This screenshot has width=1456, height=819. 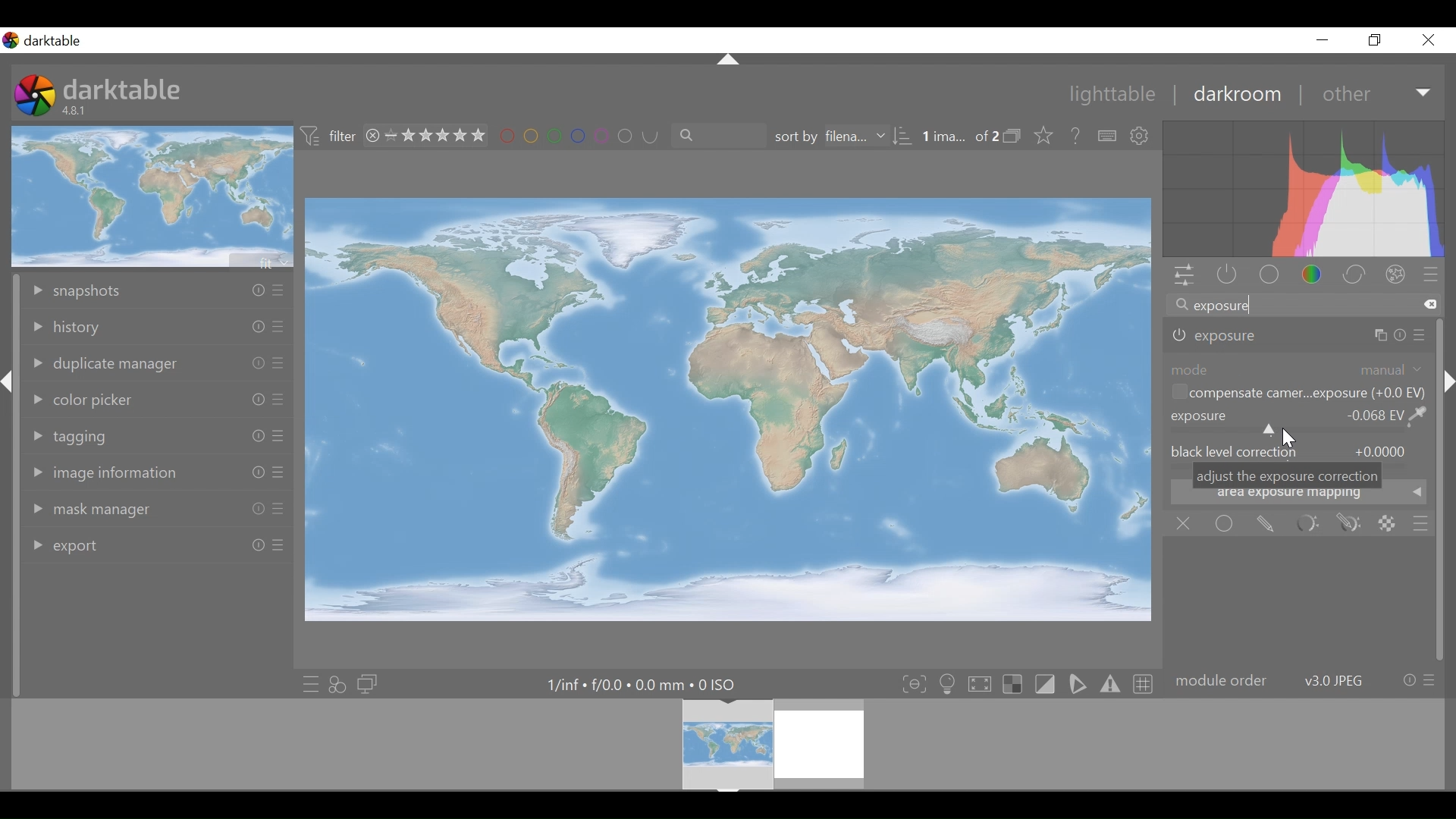 What do you see at coordinates (639, 685) in the screenshot?
I see `1/inf+f/00xmm*0ISO` at bounding box center [639, 685].